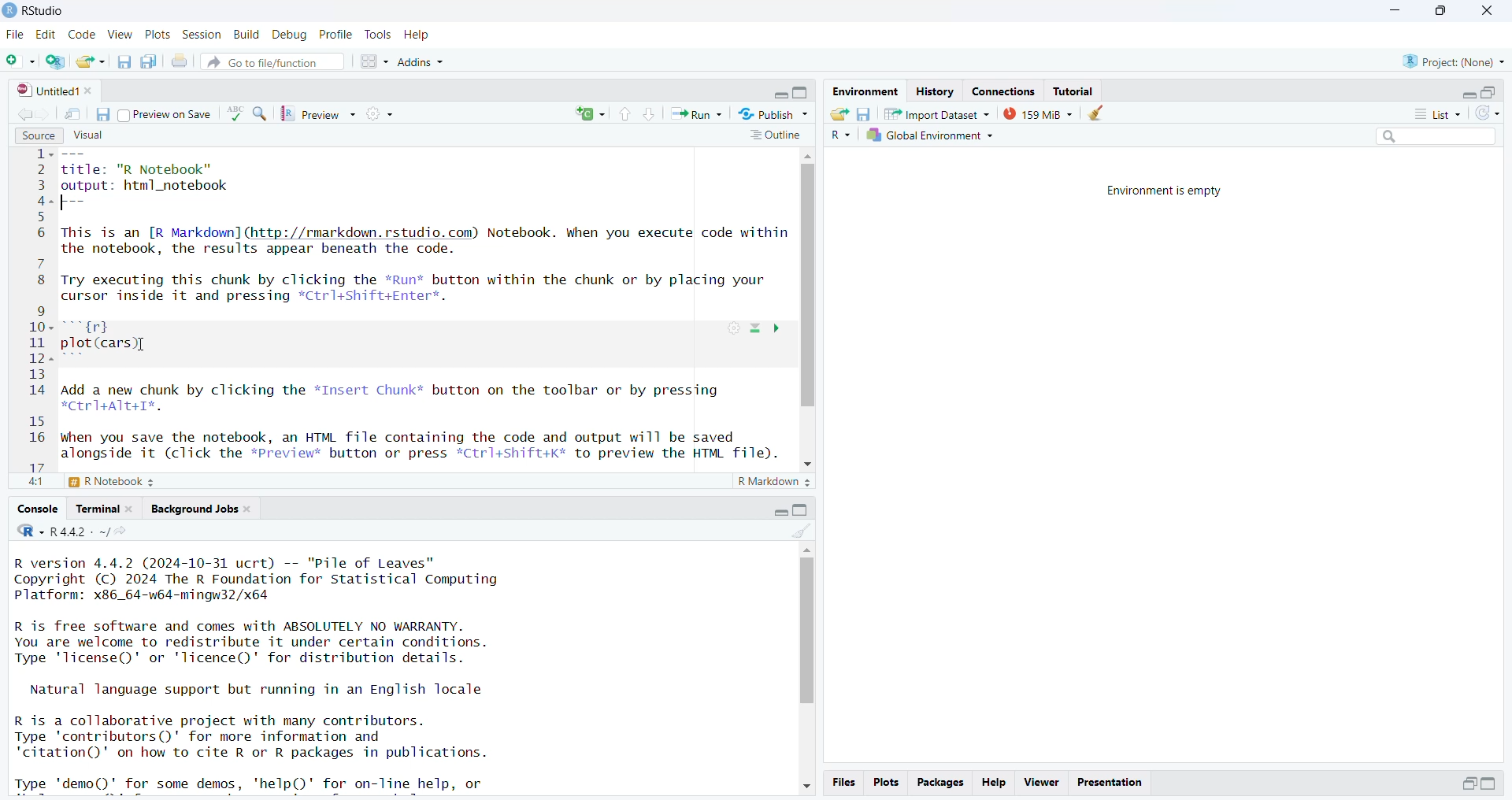 This screenshot has width=1512, height=800. Describe the element at coordinates (21, 61) in the screenshot. I see `new file` at that location.